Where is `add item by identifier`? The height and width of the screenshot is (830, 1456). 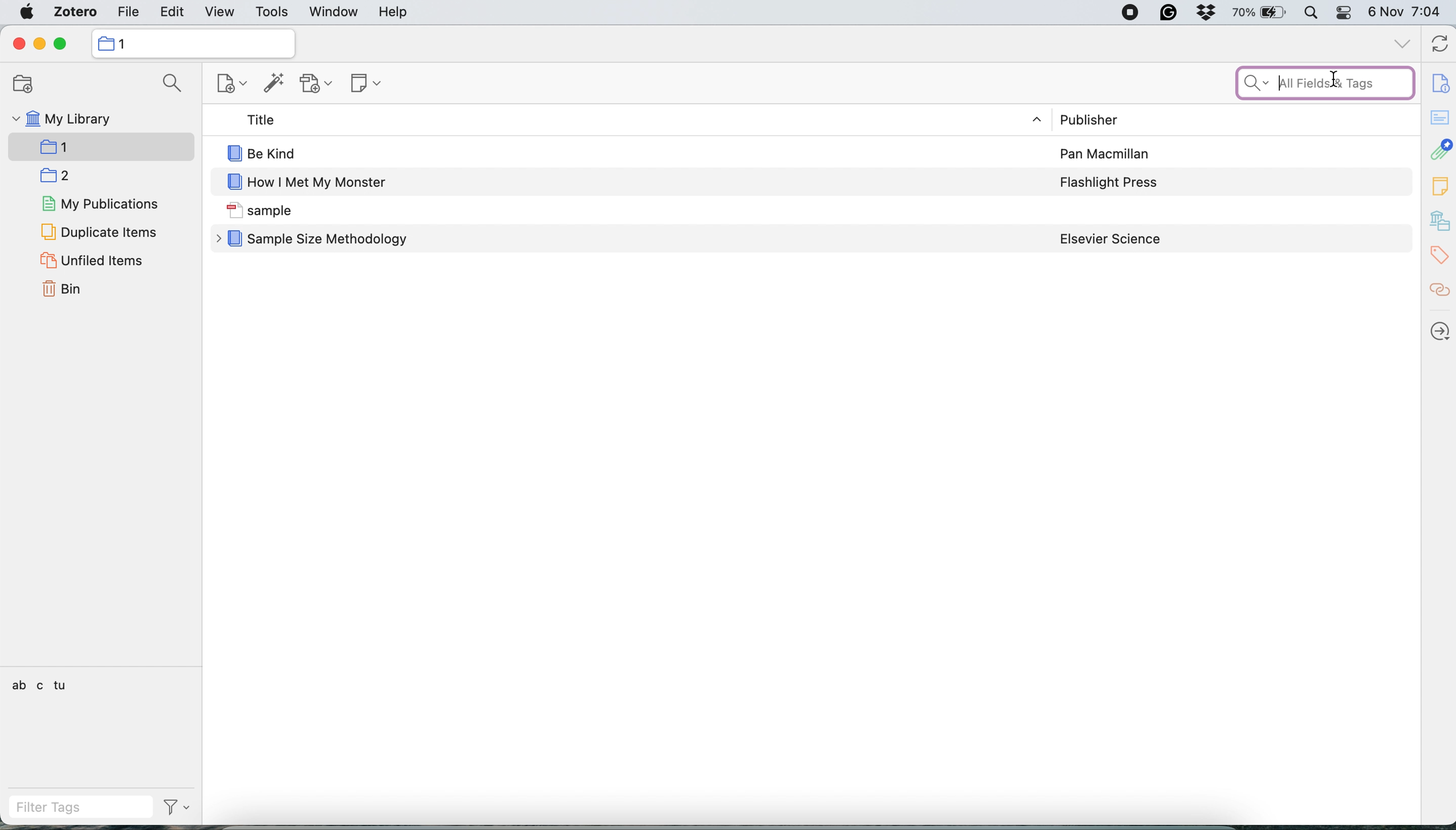 add item by identifier is located at coordinates (274, 83).